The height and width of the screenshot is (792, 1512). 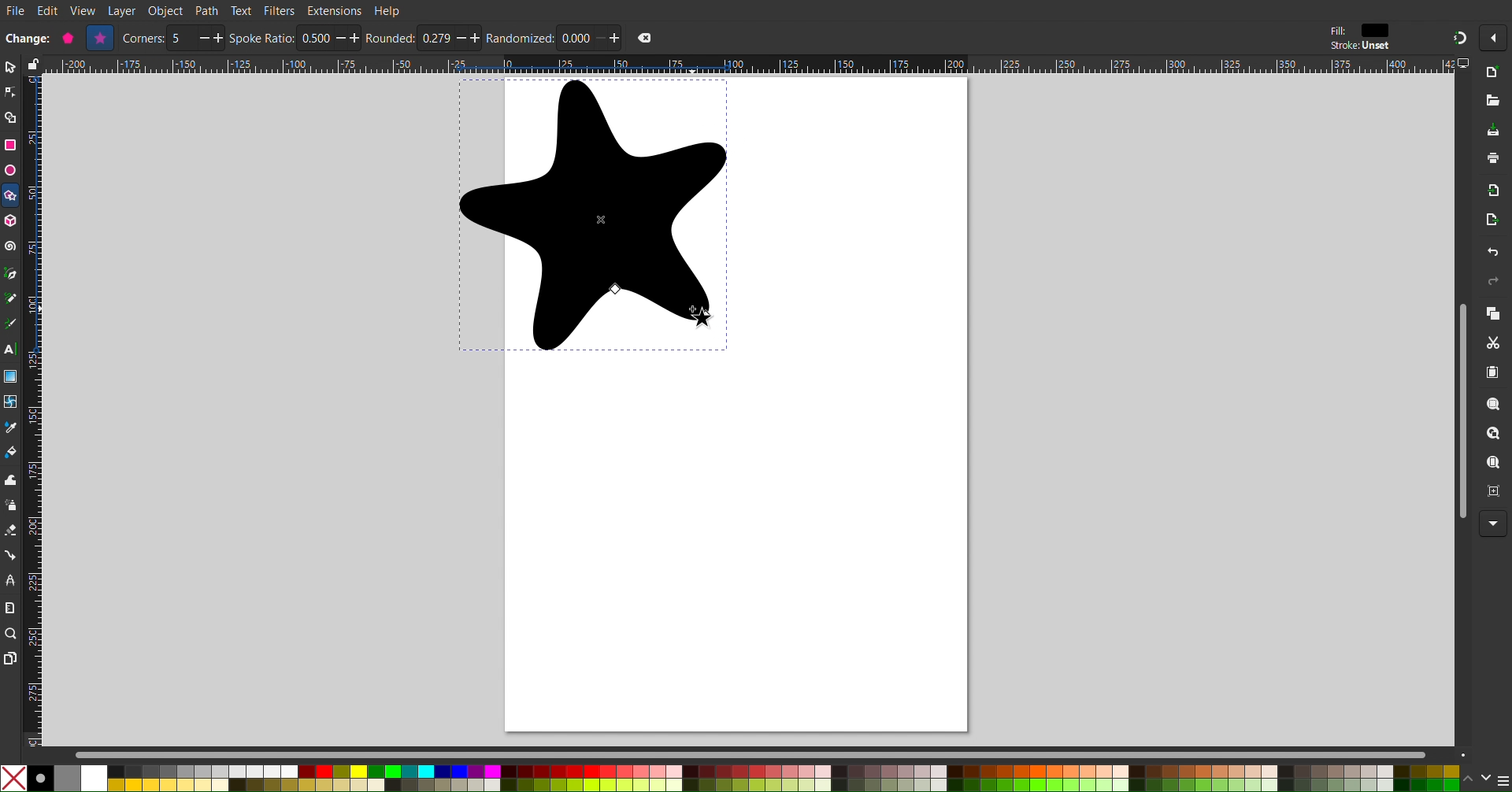 What do you see at coordinates (349, 38) in the screenshot?
I see `increase/decrease` at bounding box center [349, 38].